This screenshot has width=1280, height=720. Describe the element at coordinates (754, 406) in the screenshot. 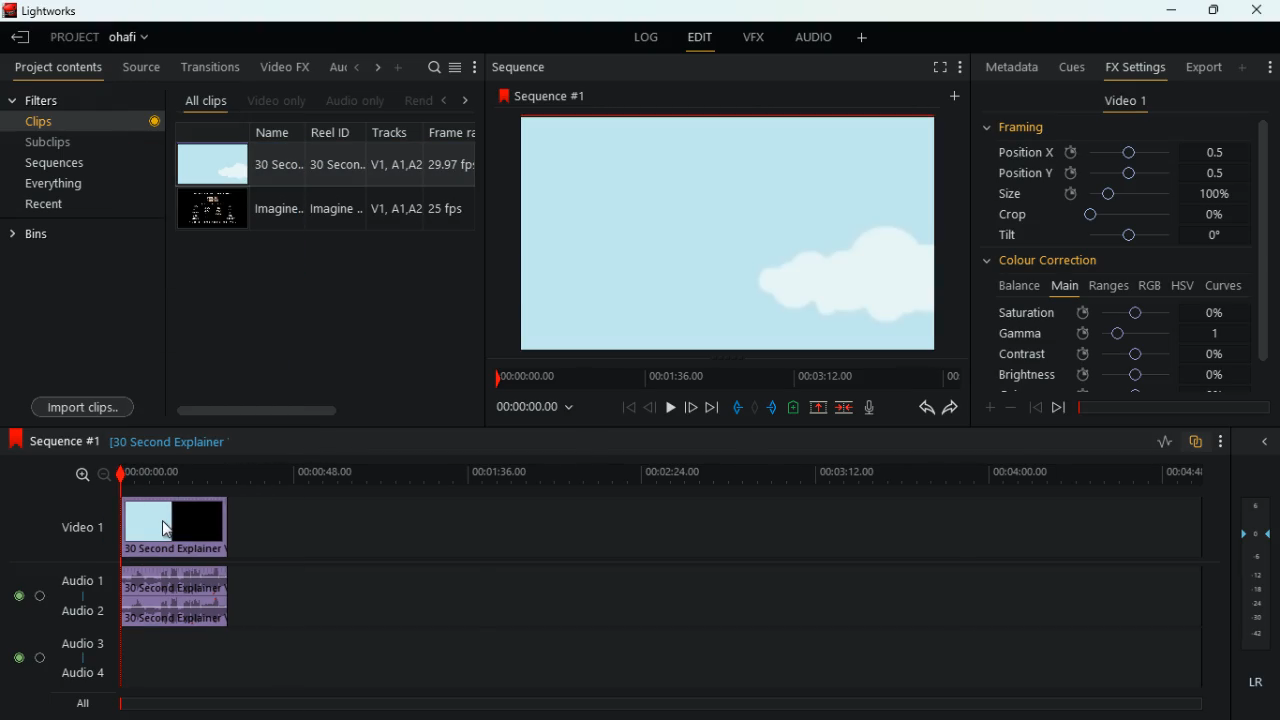

I see `hold` at that location.